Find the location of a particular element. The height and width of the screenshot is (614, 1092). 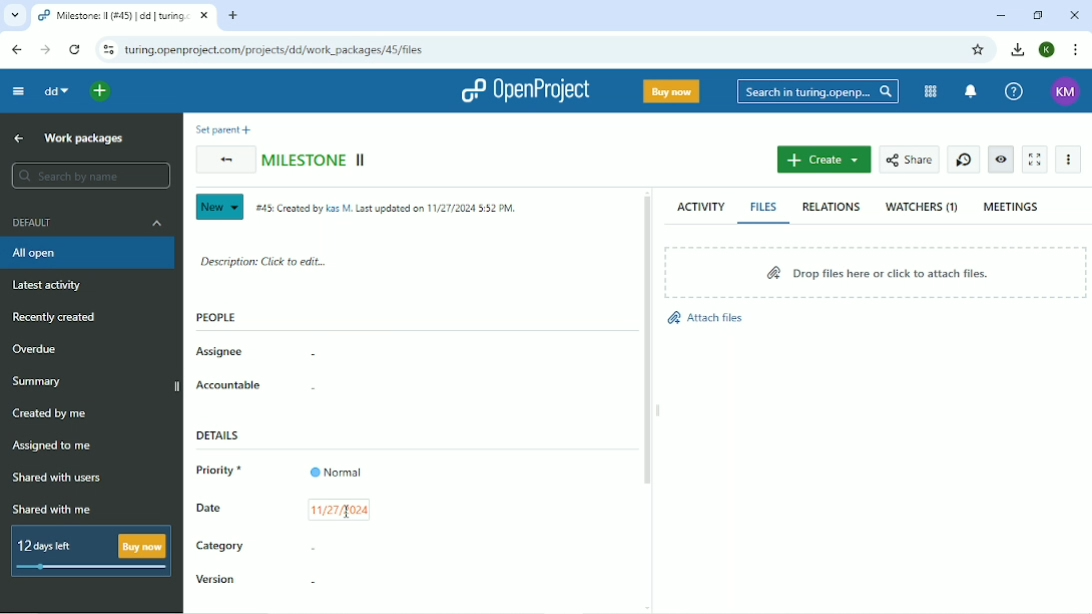

Drop files here or click to attach files is located at coordinates (873, 271).